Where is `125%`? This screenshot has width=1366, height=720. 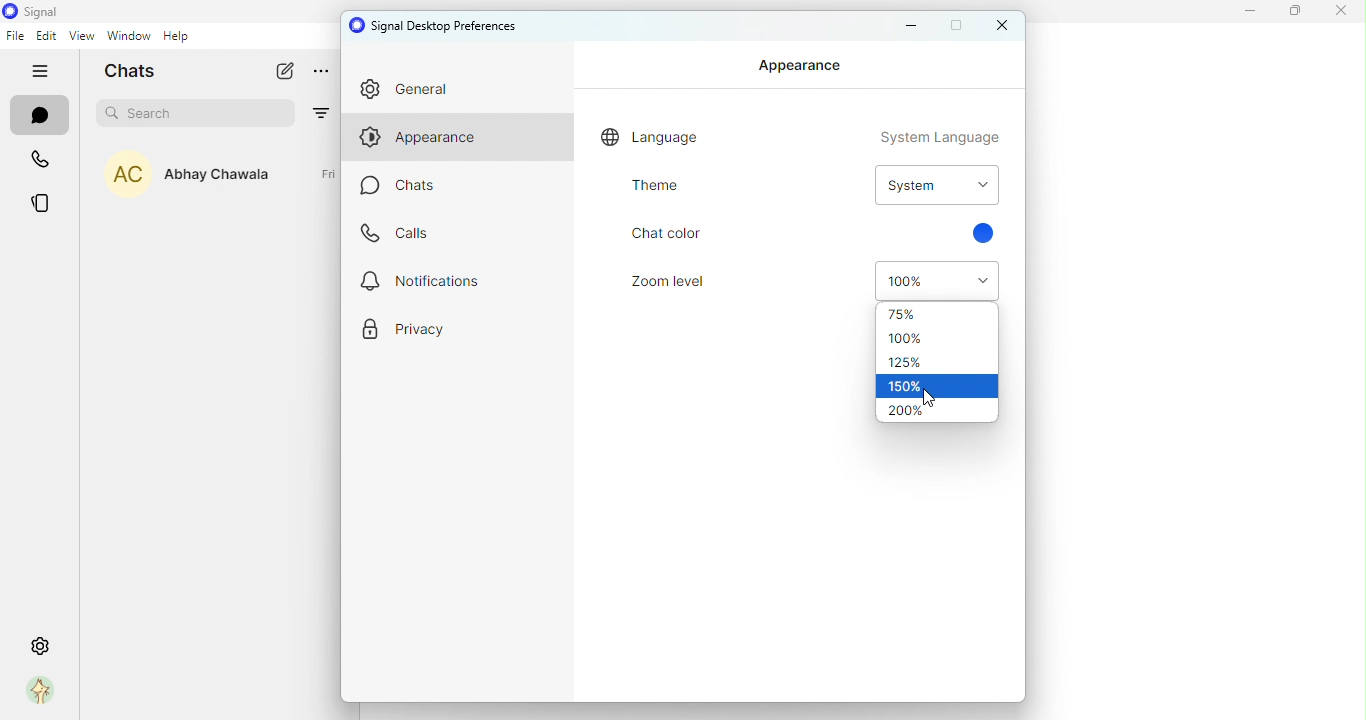
125% is located at coordinates (925, 362).